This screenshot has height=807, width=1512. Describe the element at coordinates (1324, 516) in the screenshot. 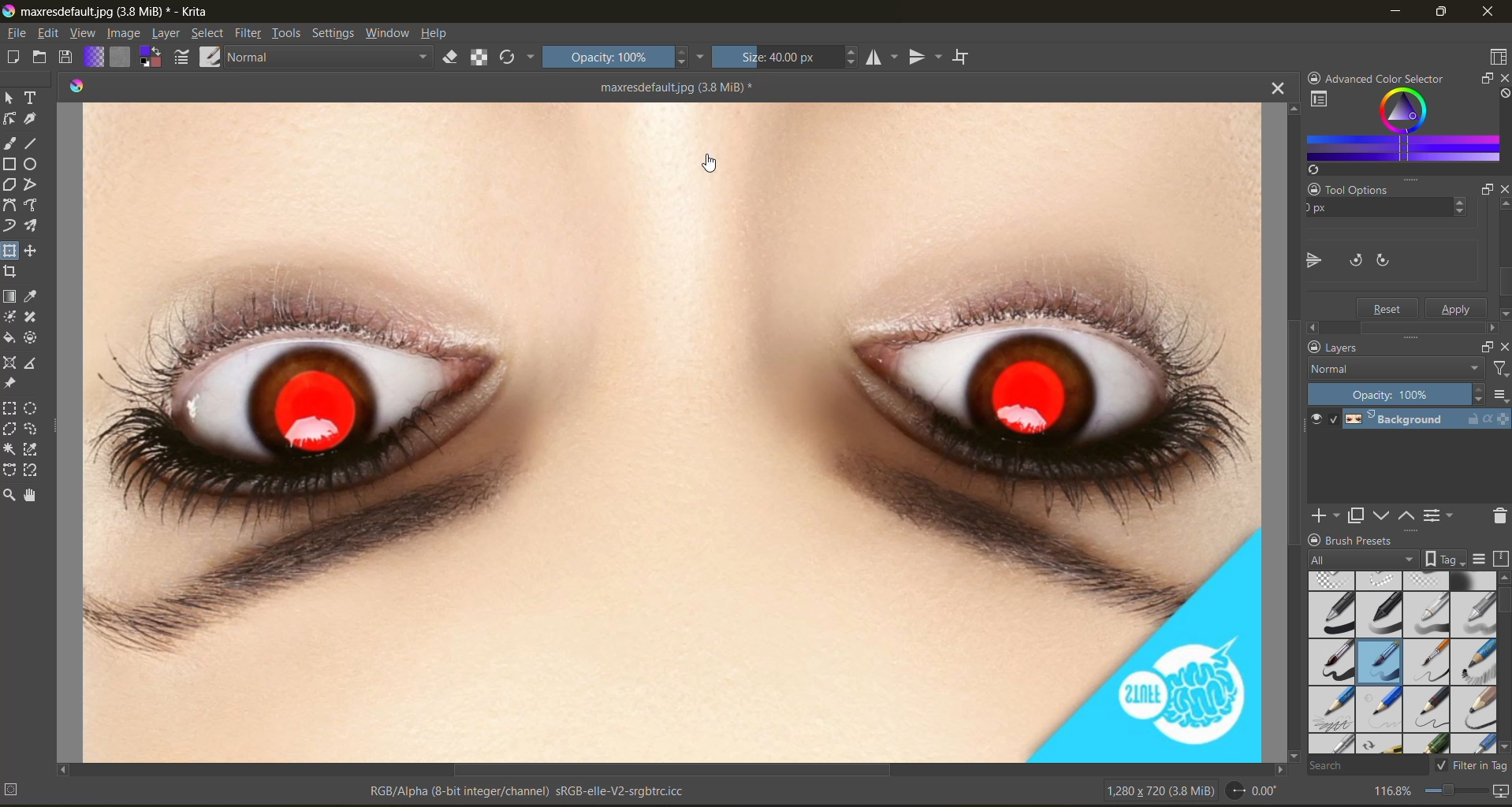

I see `add` at that location.